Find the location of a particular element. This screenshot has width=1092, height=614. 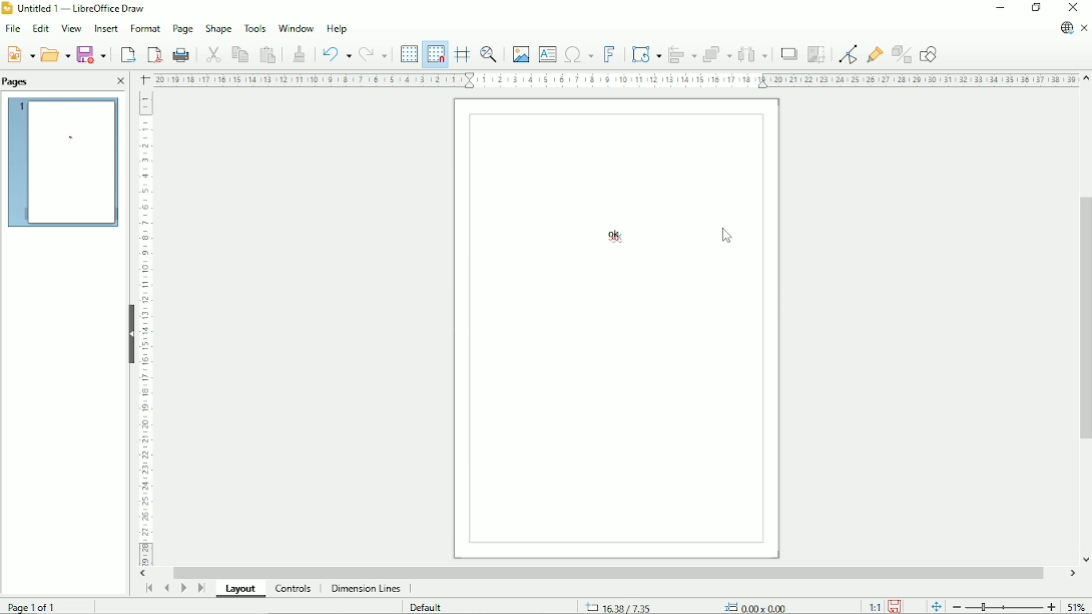

Helplines while moving is located at coordinates (461, 54).